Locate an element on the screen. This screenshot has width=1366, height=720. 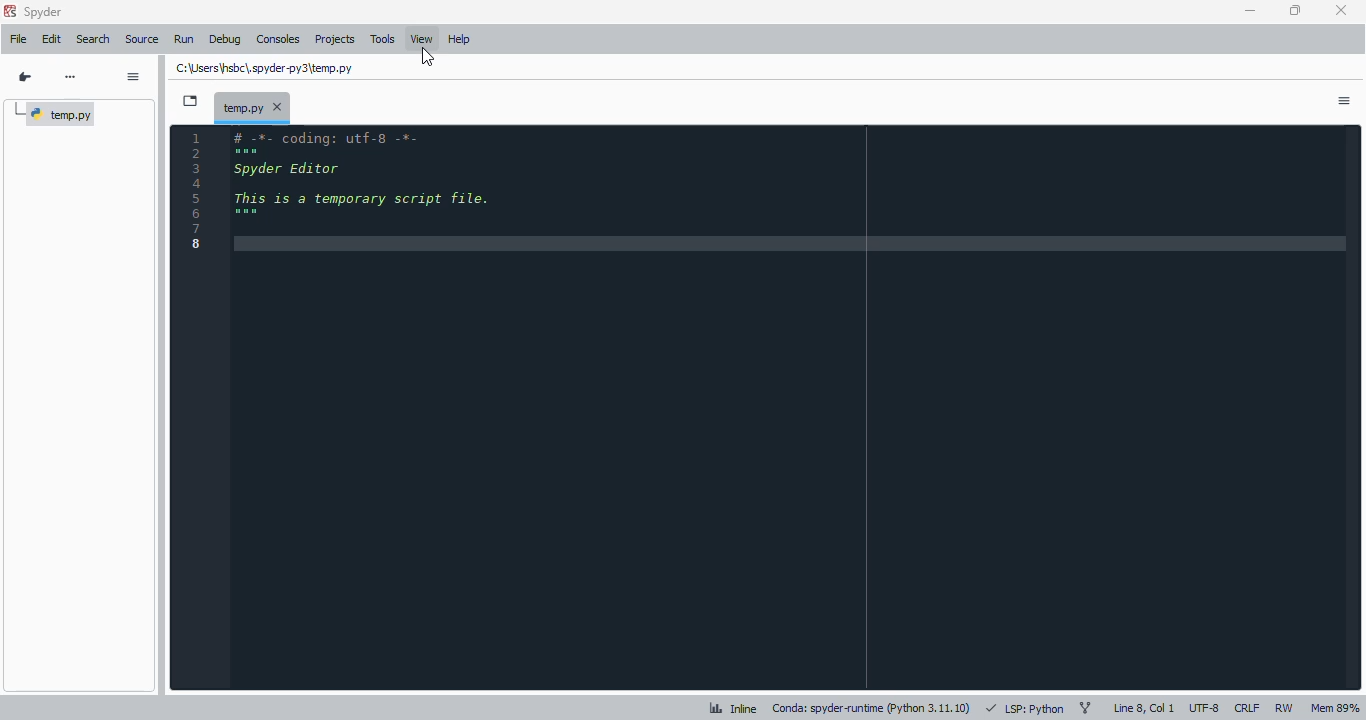
inline is located at coordinates (734, 708).